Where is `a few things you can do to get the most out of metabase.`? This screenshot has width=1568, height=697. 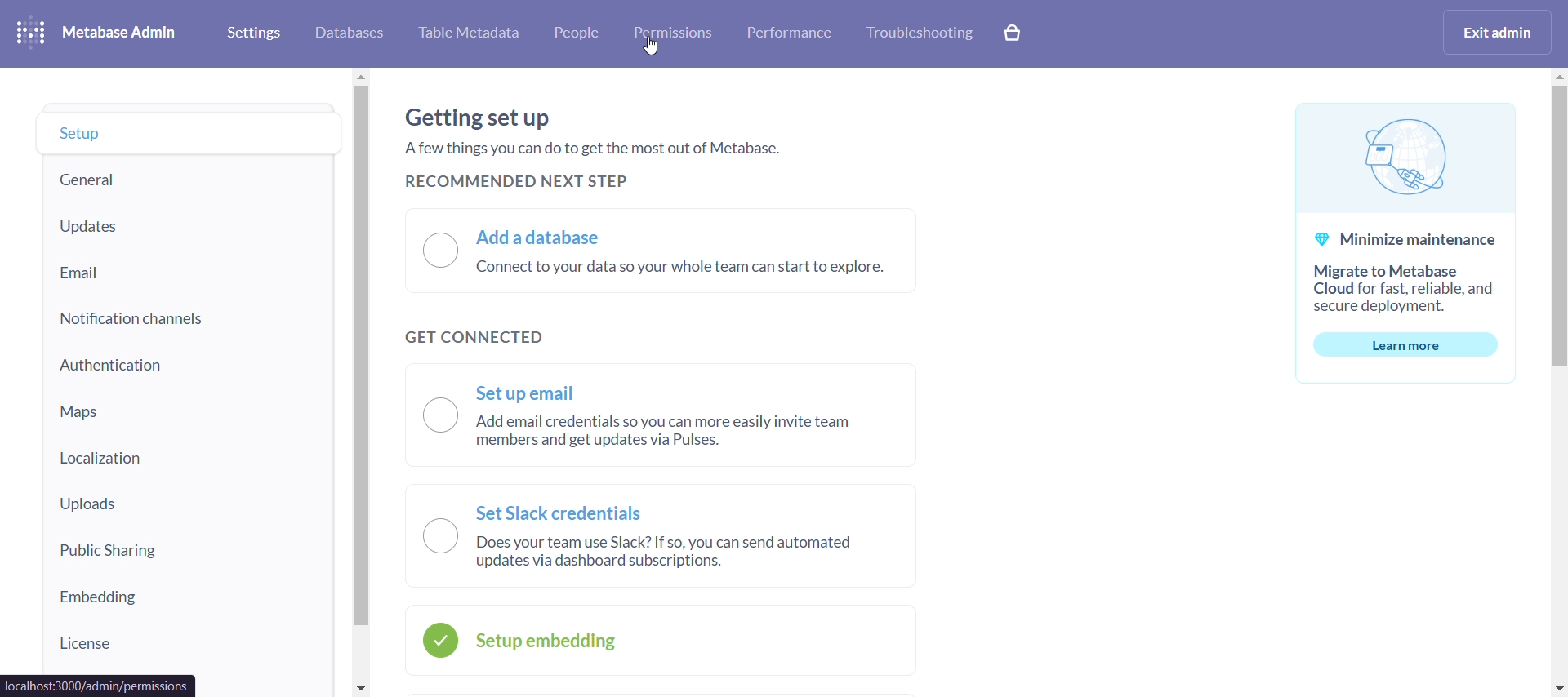
a few things you can do to get the most out of metabase. is located at coordinates (601, 152).